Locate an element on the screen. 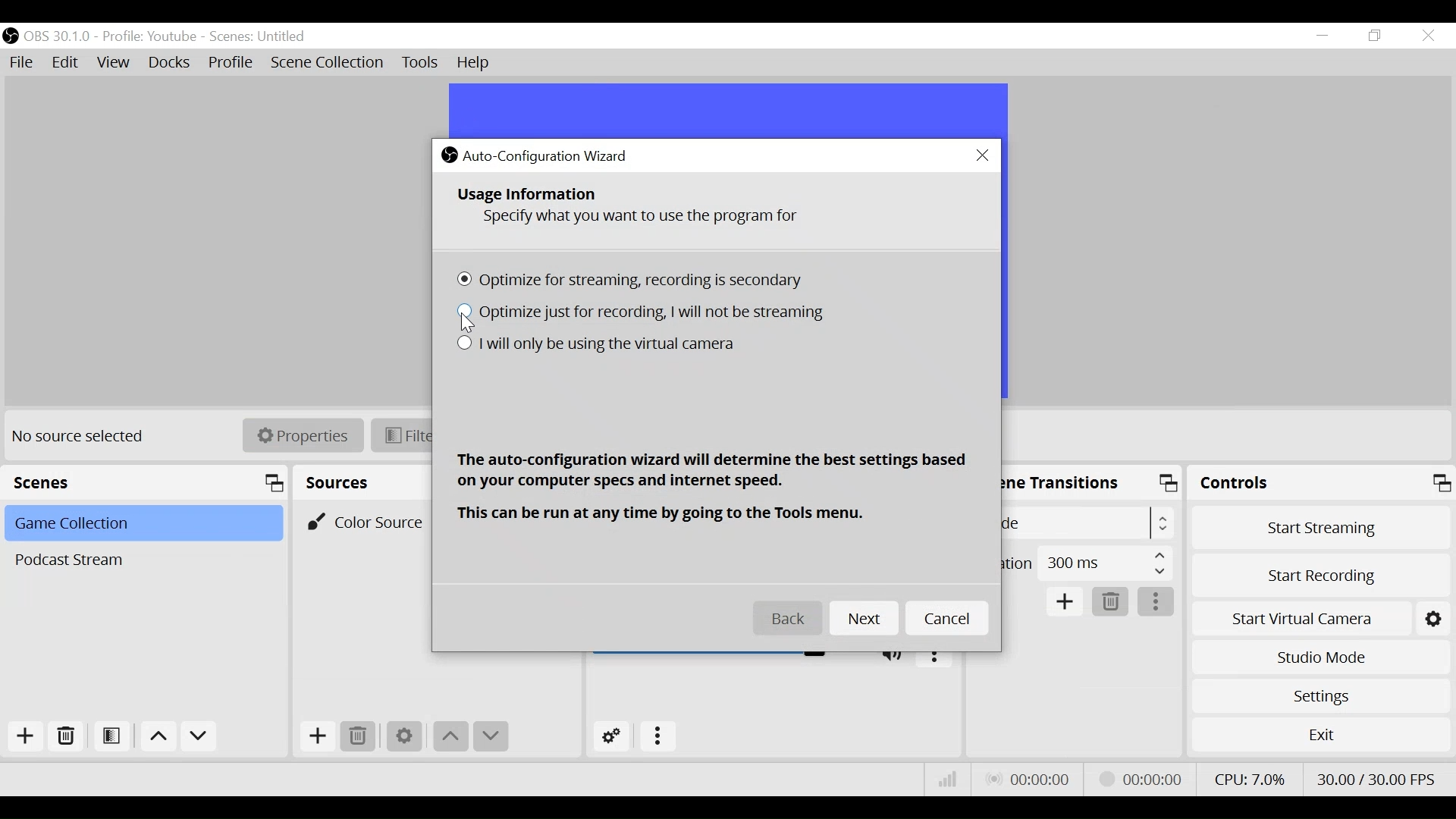 The width and height of the screenshot is (1456, 819). more options is located at coordinates (659, 738).